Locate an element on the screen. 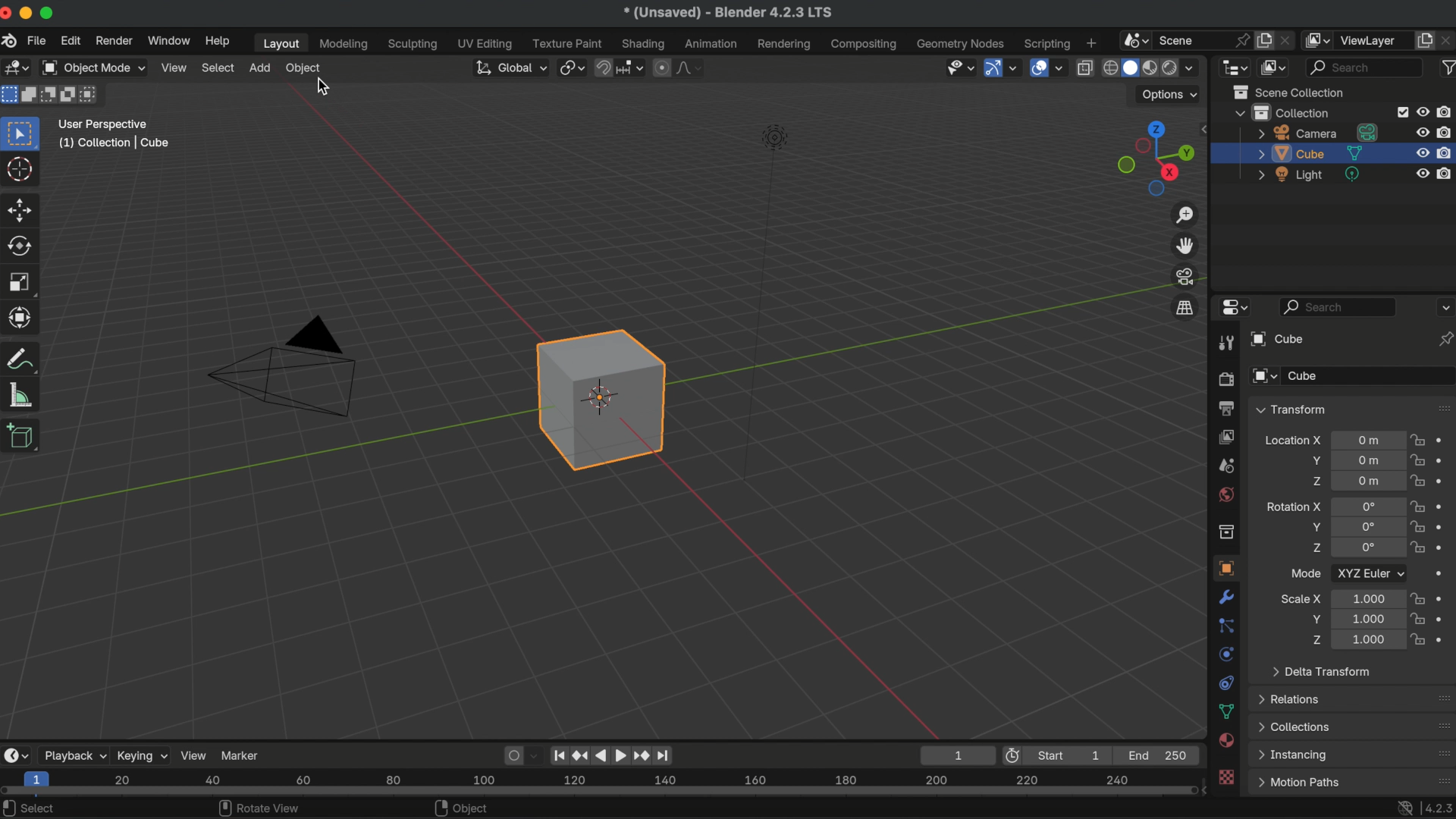 This screenshot has width=1456, height=819. editor type is located at coordinates (1235, 66).